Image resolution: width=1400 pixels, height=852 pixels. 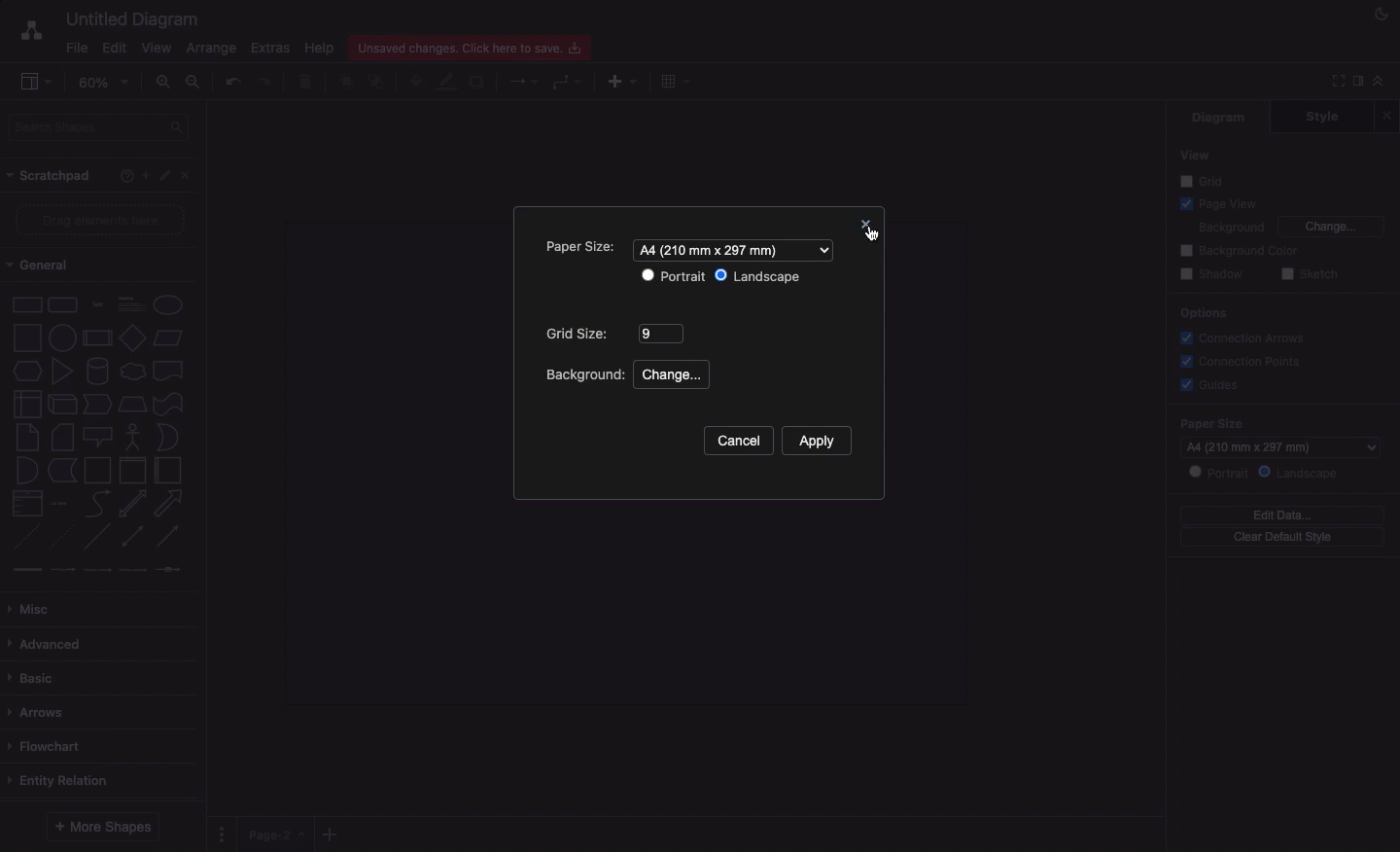 I want to click on Add, so click(x=332, y=831).